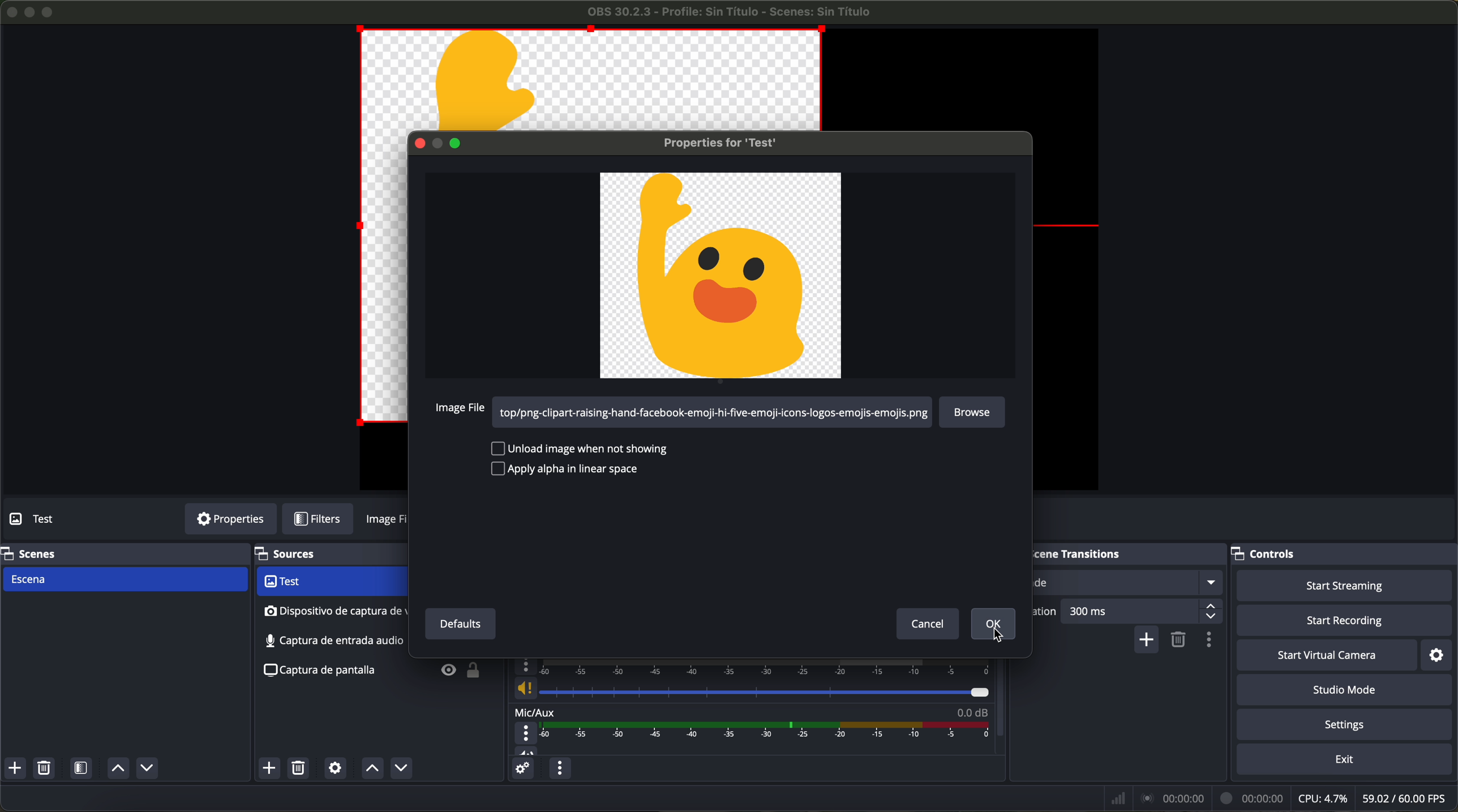 Image resolution: width=1458 pixels, height=812 pixels. Describe the element at coordinates (83, 769) in the screenshot. I see `open scene filters` at that location.